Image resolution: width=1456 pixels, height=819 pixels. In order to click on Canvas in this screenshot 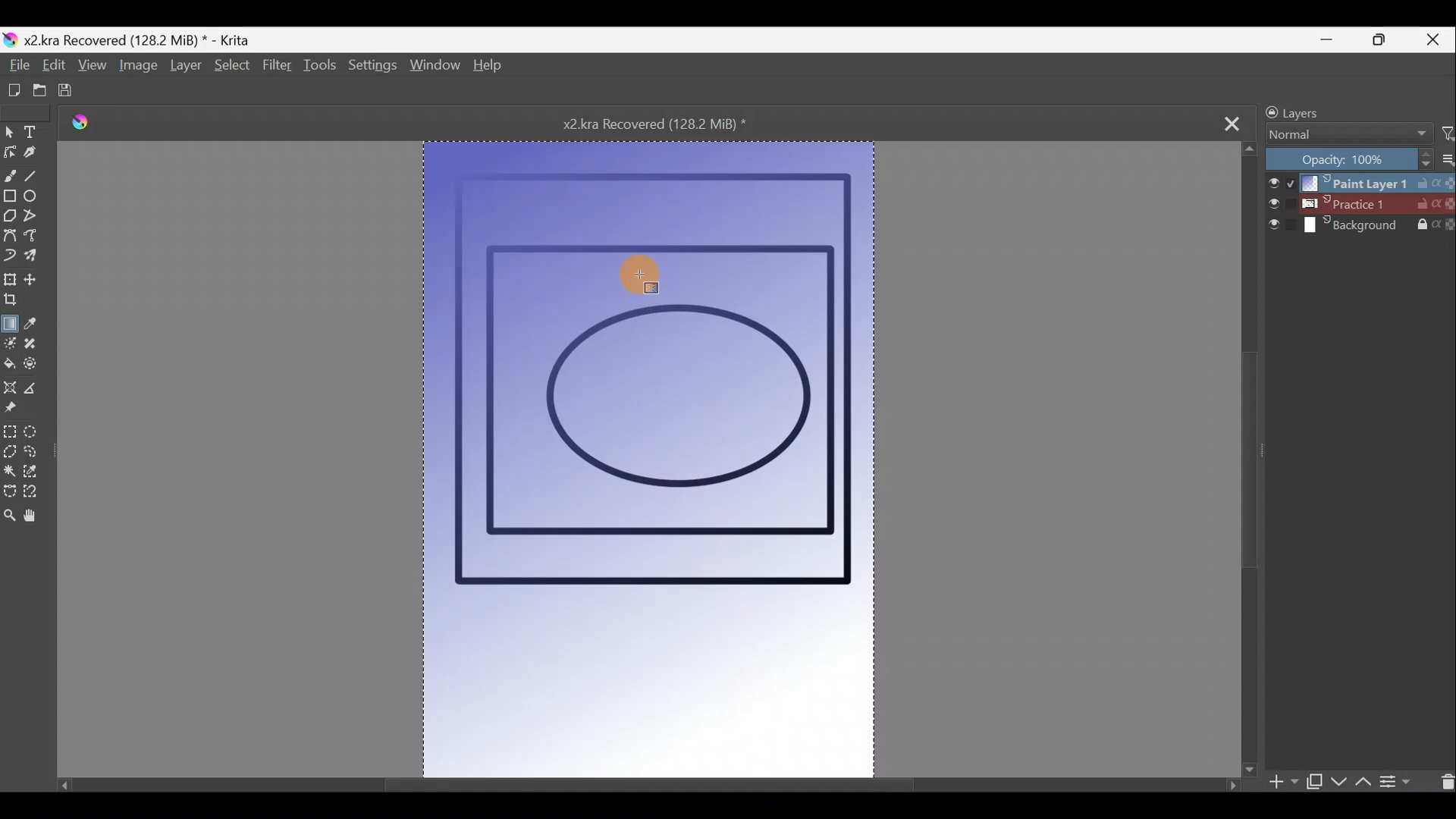, I will do `click(648, 453)`.